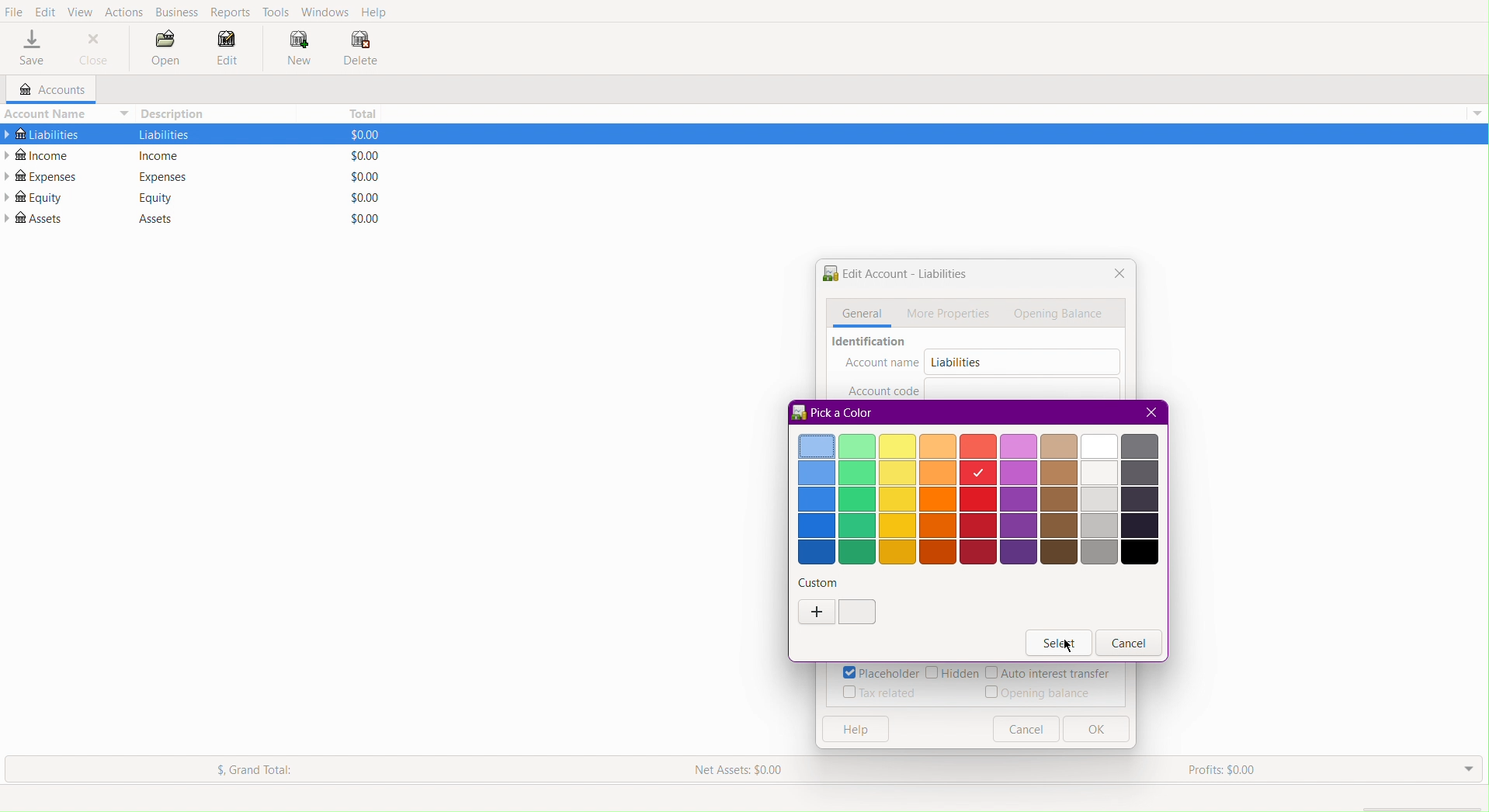 Image resolution: width=1489 pixels, height=812 pixels. Describe the element at coordinates (1066, 647) in the screenshot. I see `Cursor` at that location.